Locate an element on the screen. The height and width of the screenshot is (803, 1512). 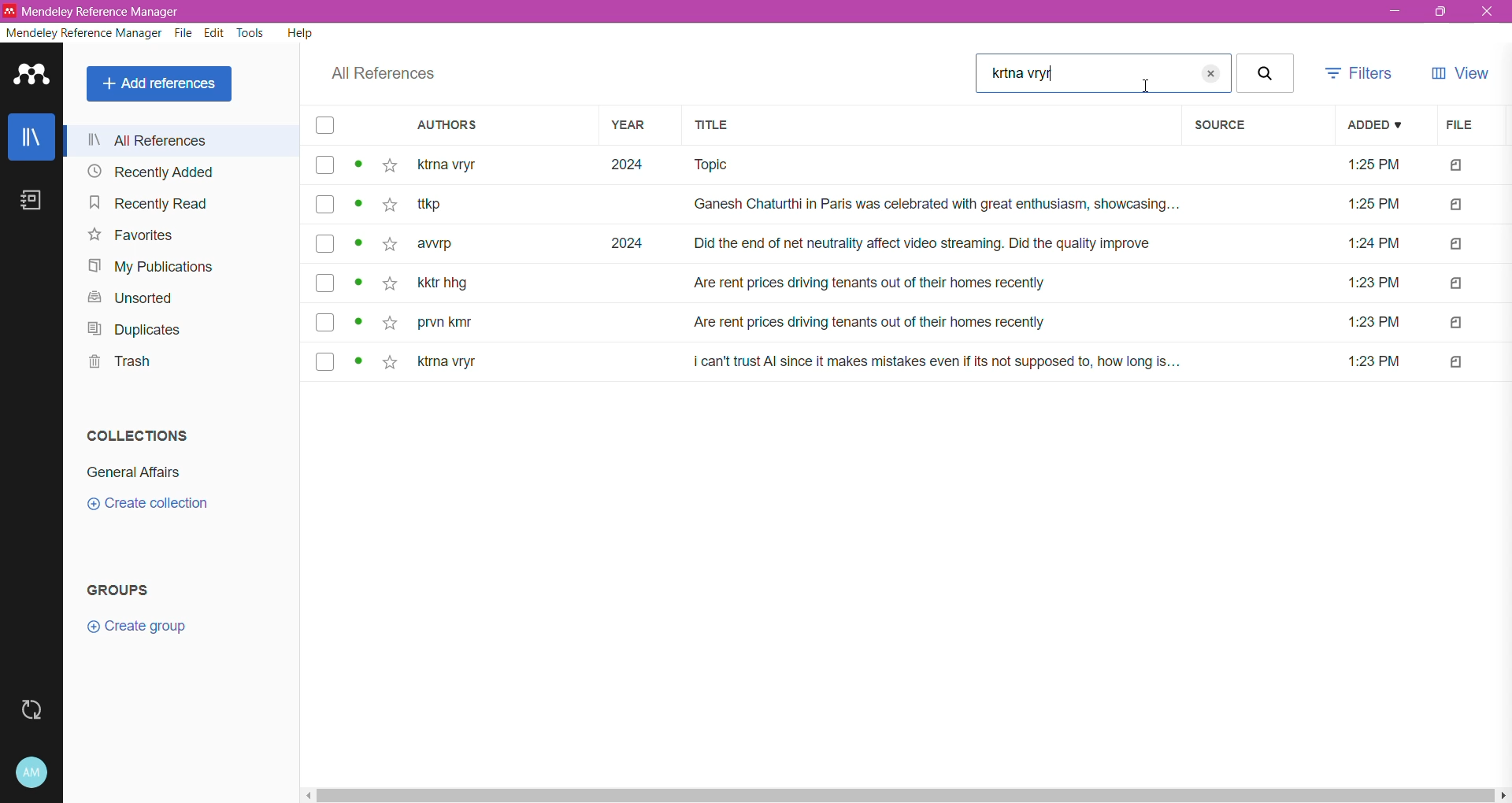
Close is located at coordinates (1488, 13).